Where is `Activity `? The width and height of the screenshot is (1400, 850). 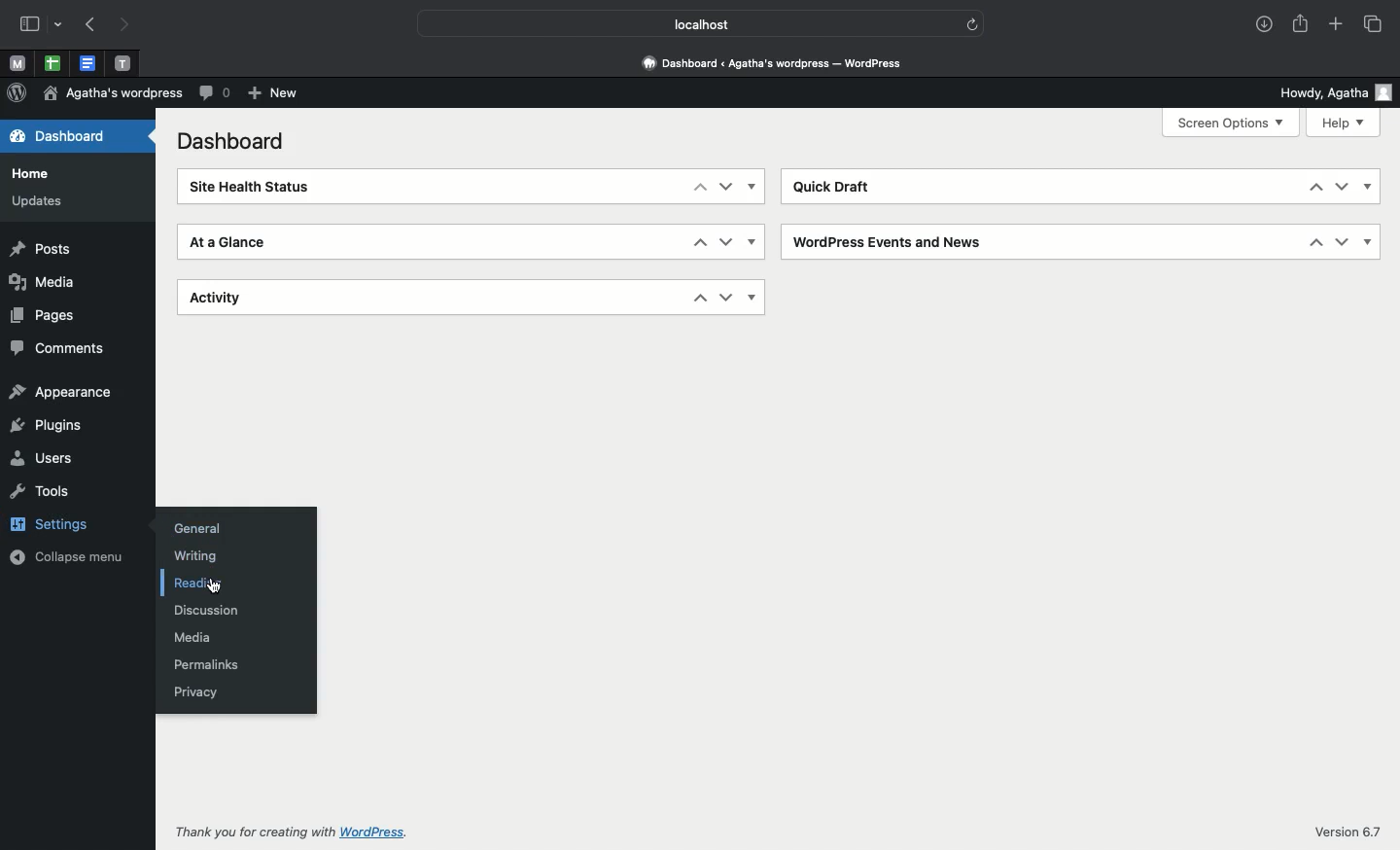
Activity  is located at coordinates (212, 299).